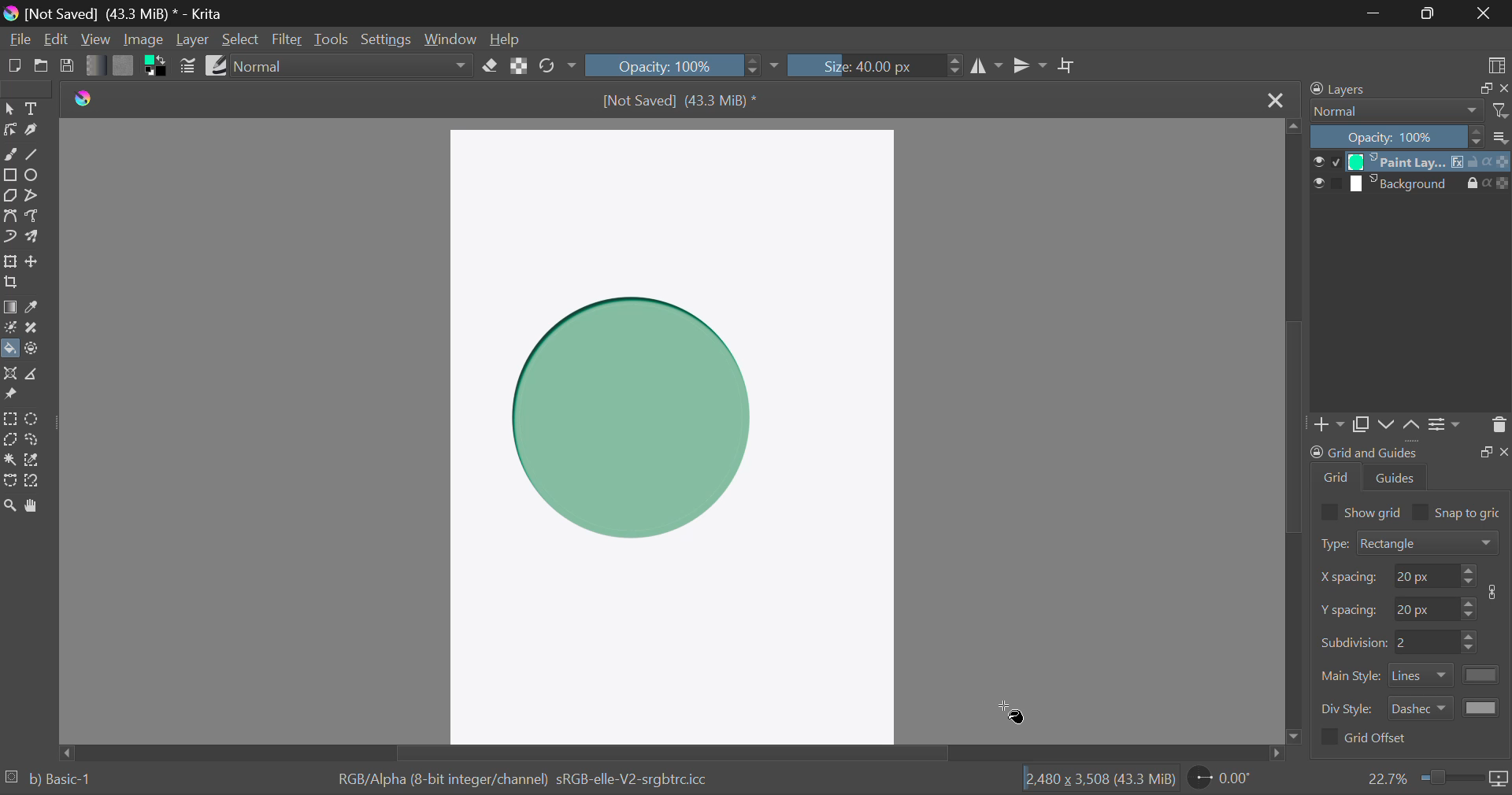  Describe the element at coordinates (115, 13) in the screenshot. I see `Window Title` at that location.